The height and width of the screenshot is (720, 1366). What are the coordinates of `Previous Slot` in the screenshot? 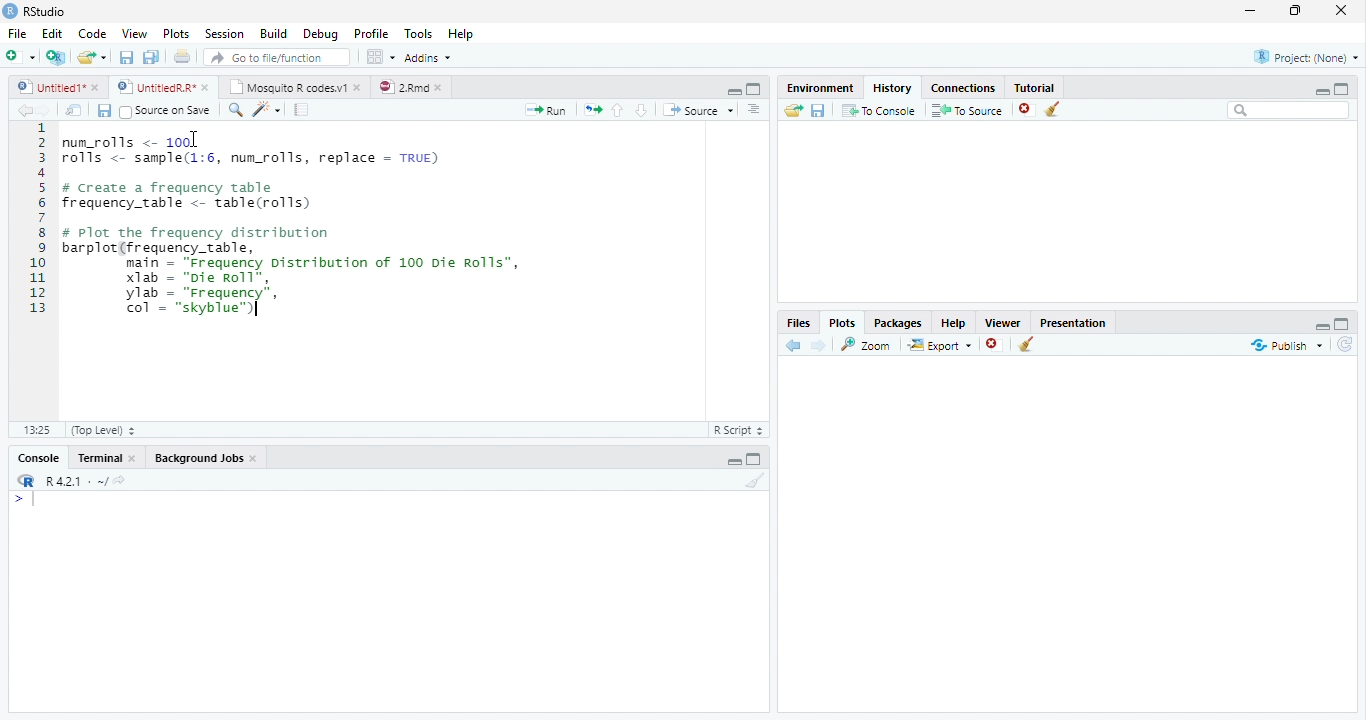 It's located at (794, 346).